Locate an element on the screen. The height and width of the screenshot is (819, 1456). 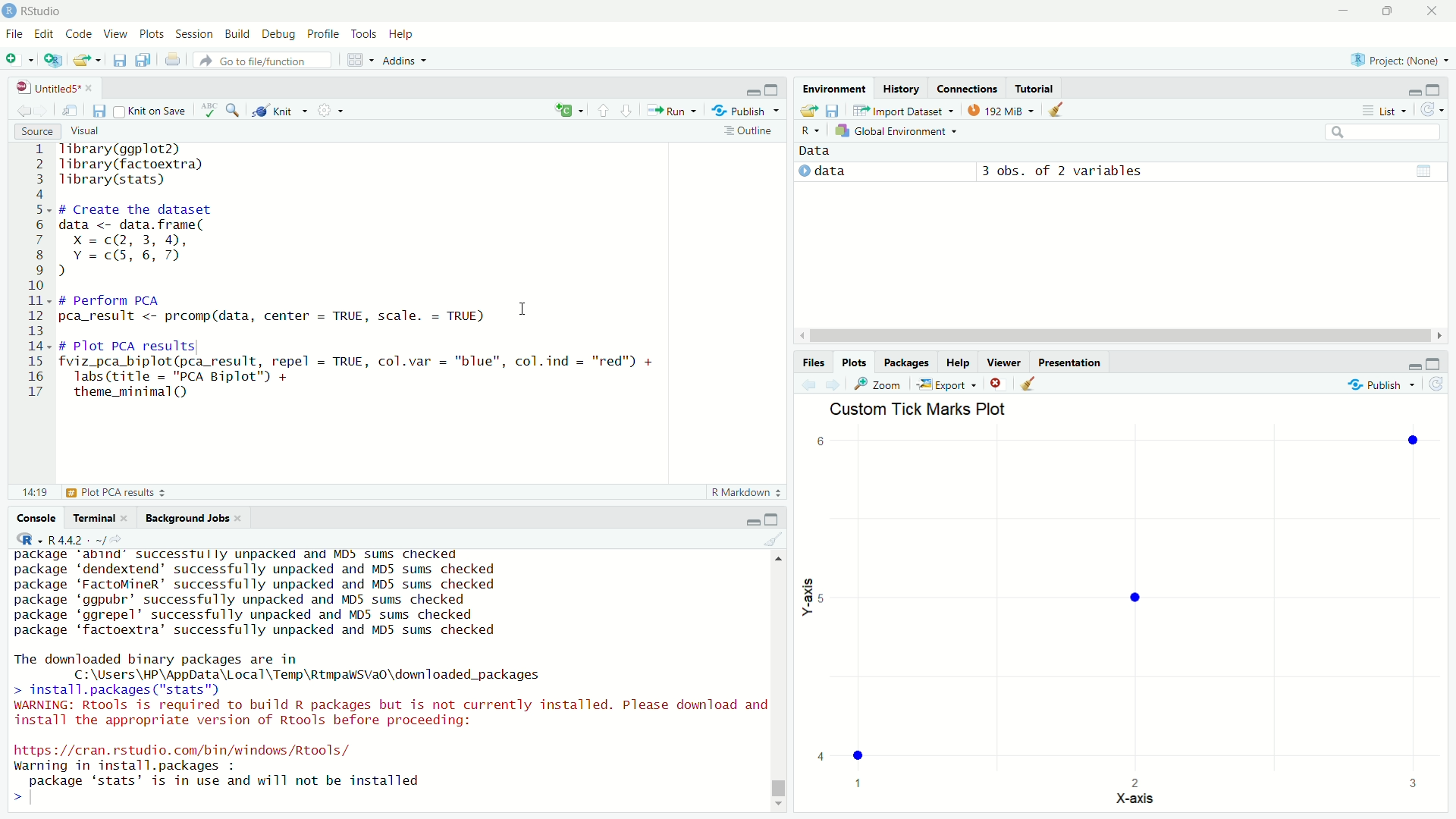
Rstudio is located at coordinates (50, 11).